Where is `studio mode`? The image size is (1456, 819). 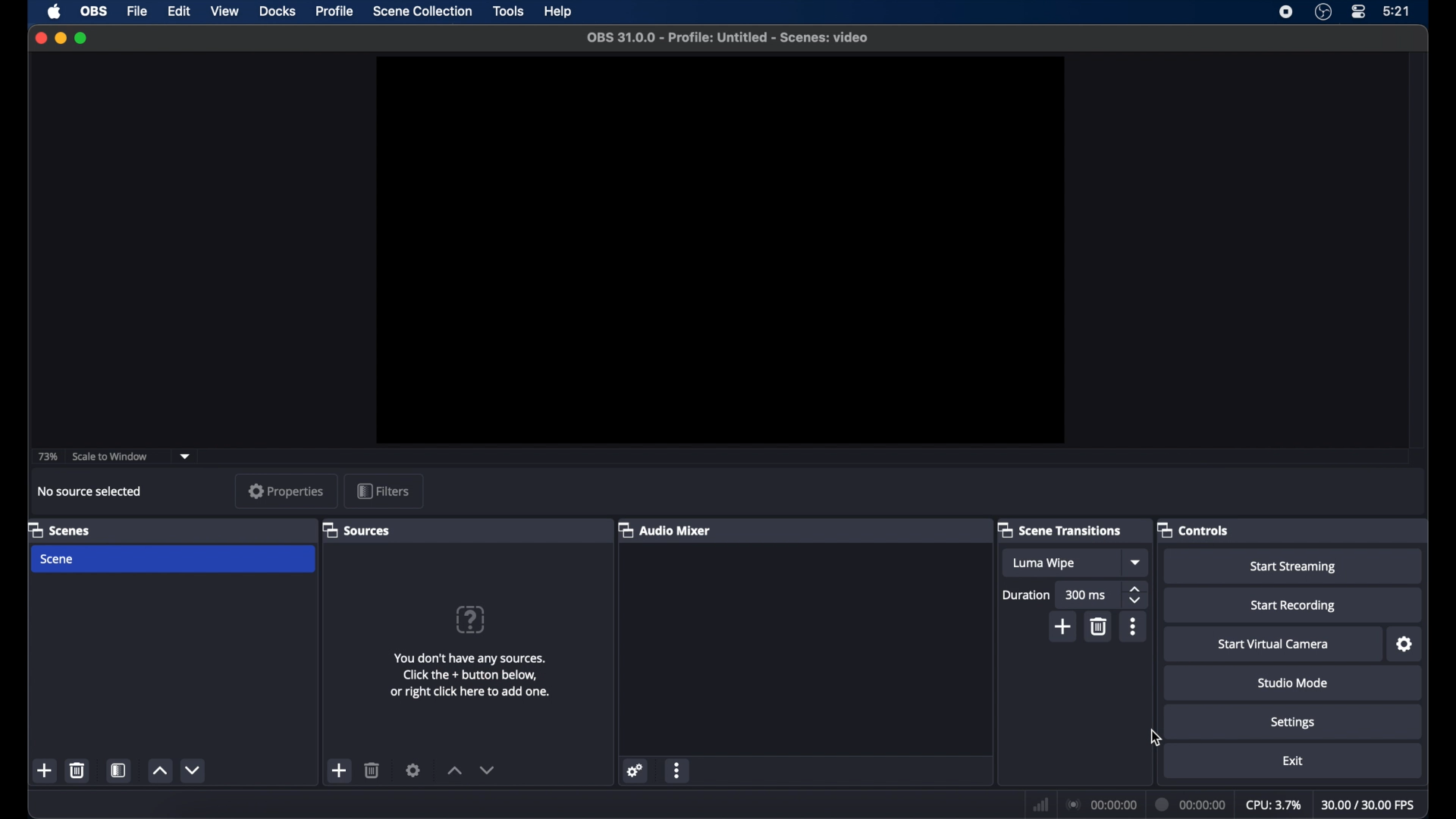 studio mode is located at coordinates (1294, 685).